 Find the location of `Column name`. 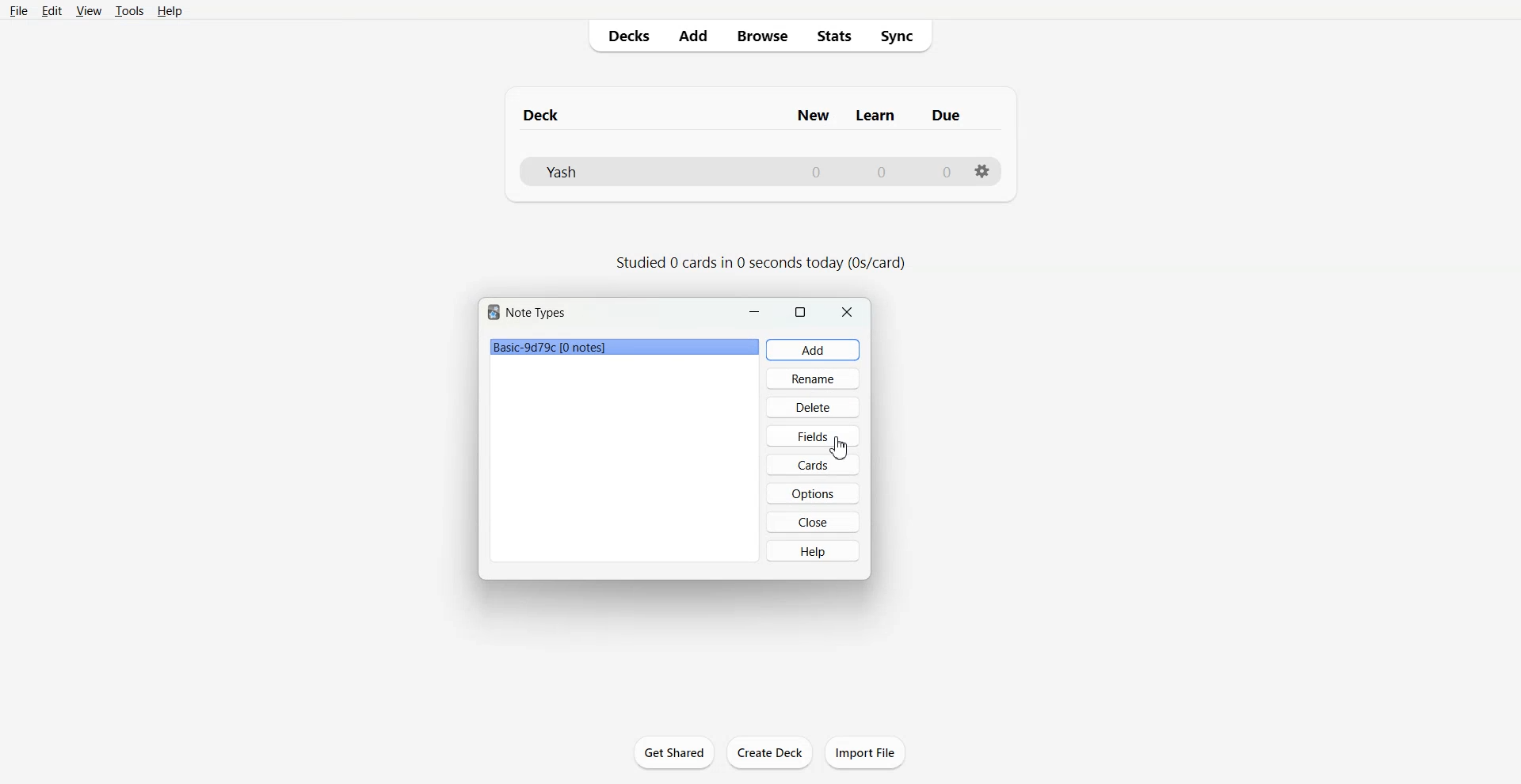

Column name is located at coordinates (946, 115).